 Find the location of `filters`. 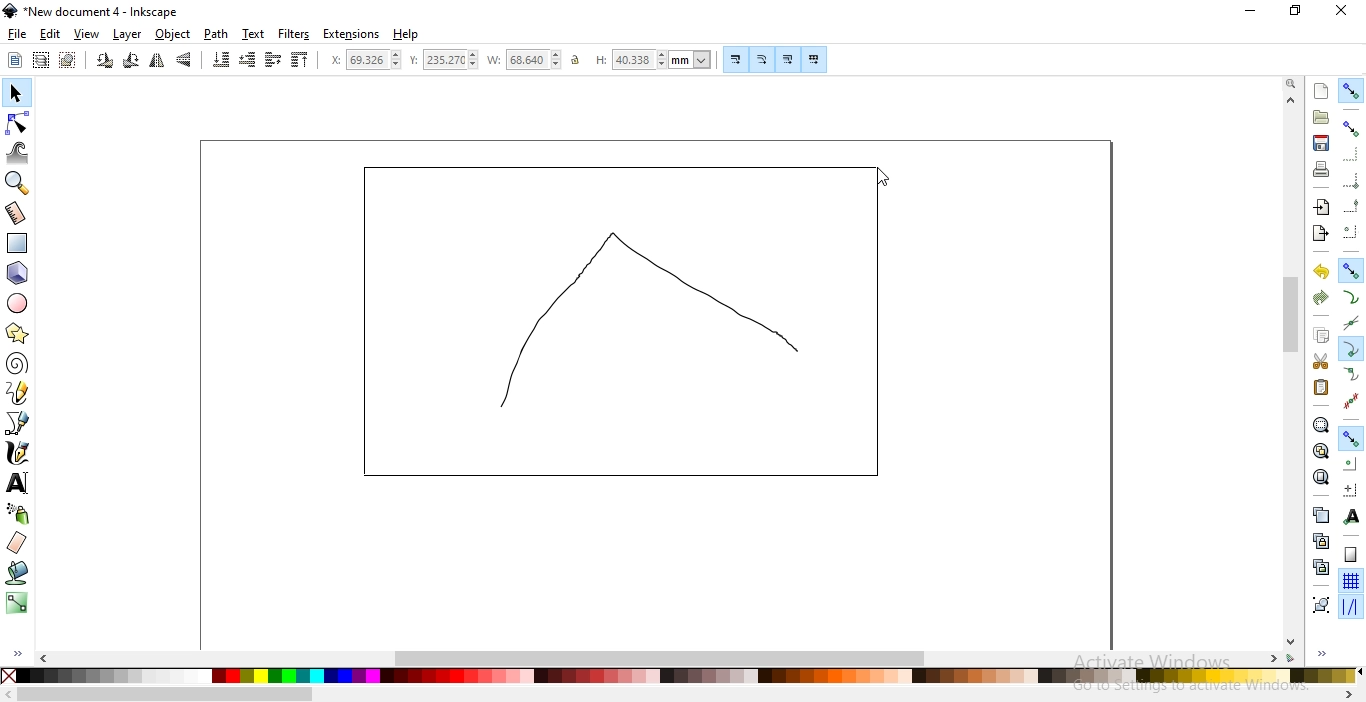

filters is located at coordinates (295, 34).